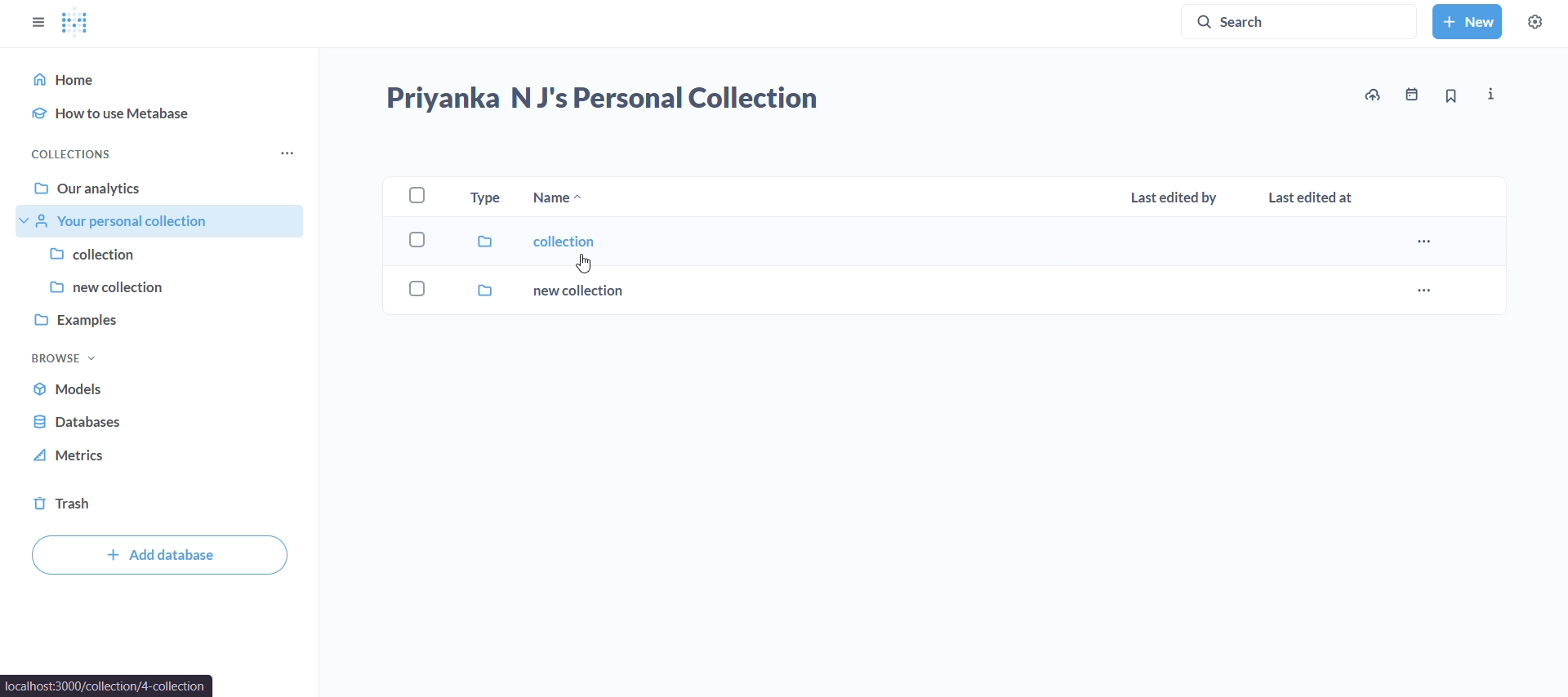  What do you see at coordinates (416, 245) in the screenshot?
I see `check boxes` at bounding box center [416, 245].